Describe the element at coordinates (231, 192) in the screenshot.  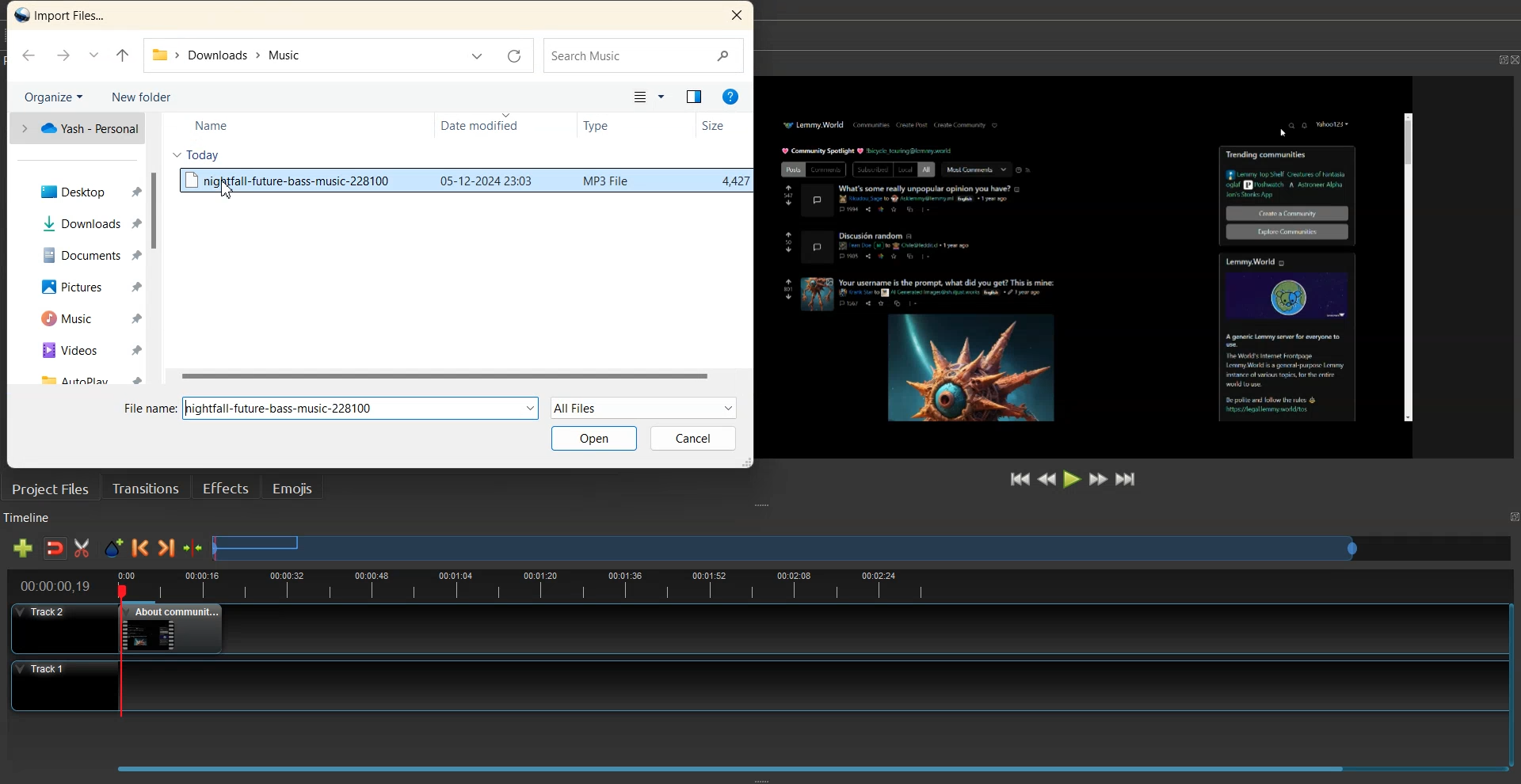
I see `Cursor` at that location.